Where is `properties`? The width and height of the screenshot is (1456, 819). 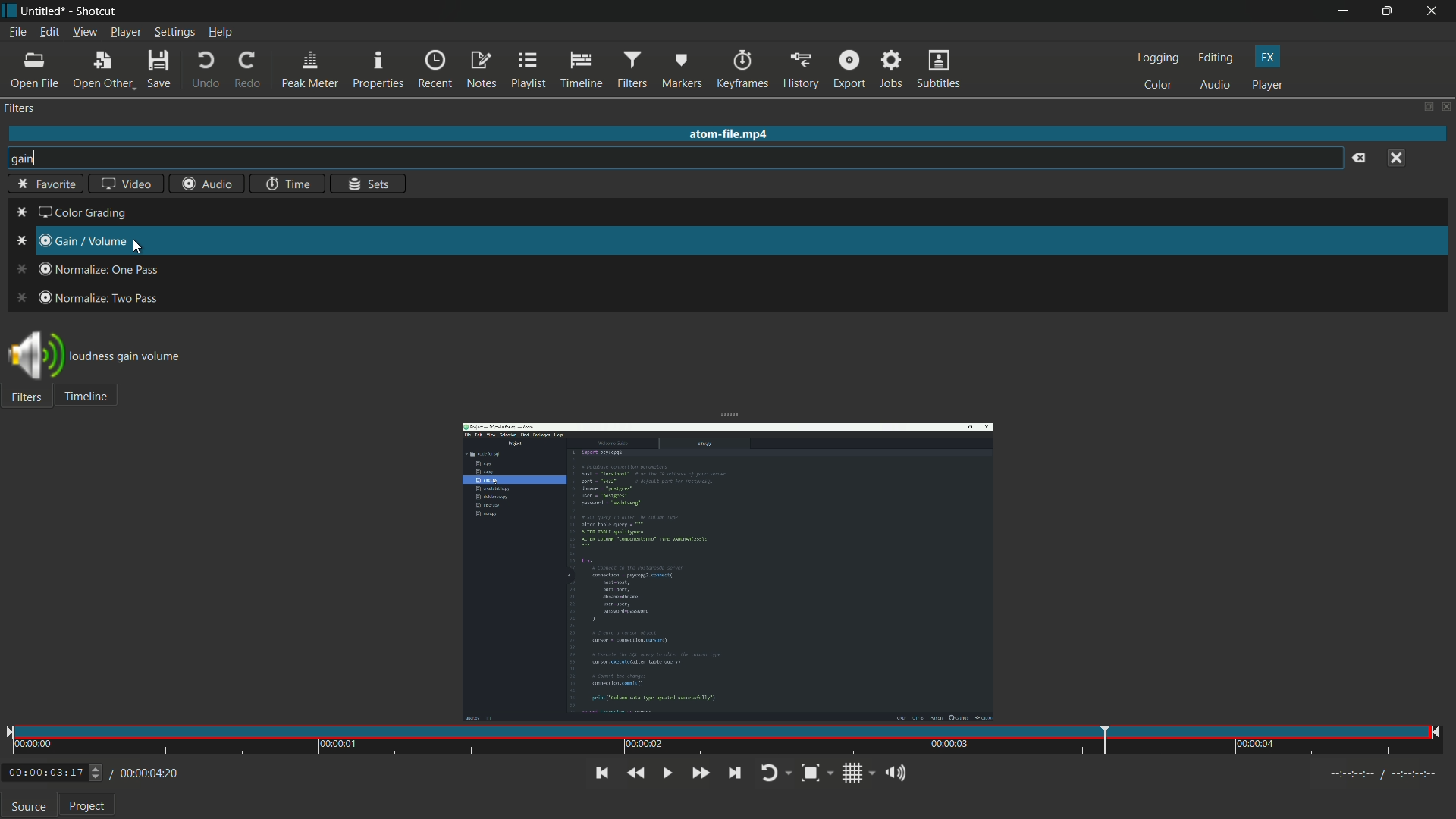 properties is located at coordinates (378, 70).